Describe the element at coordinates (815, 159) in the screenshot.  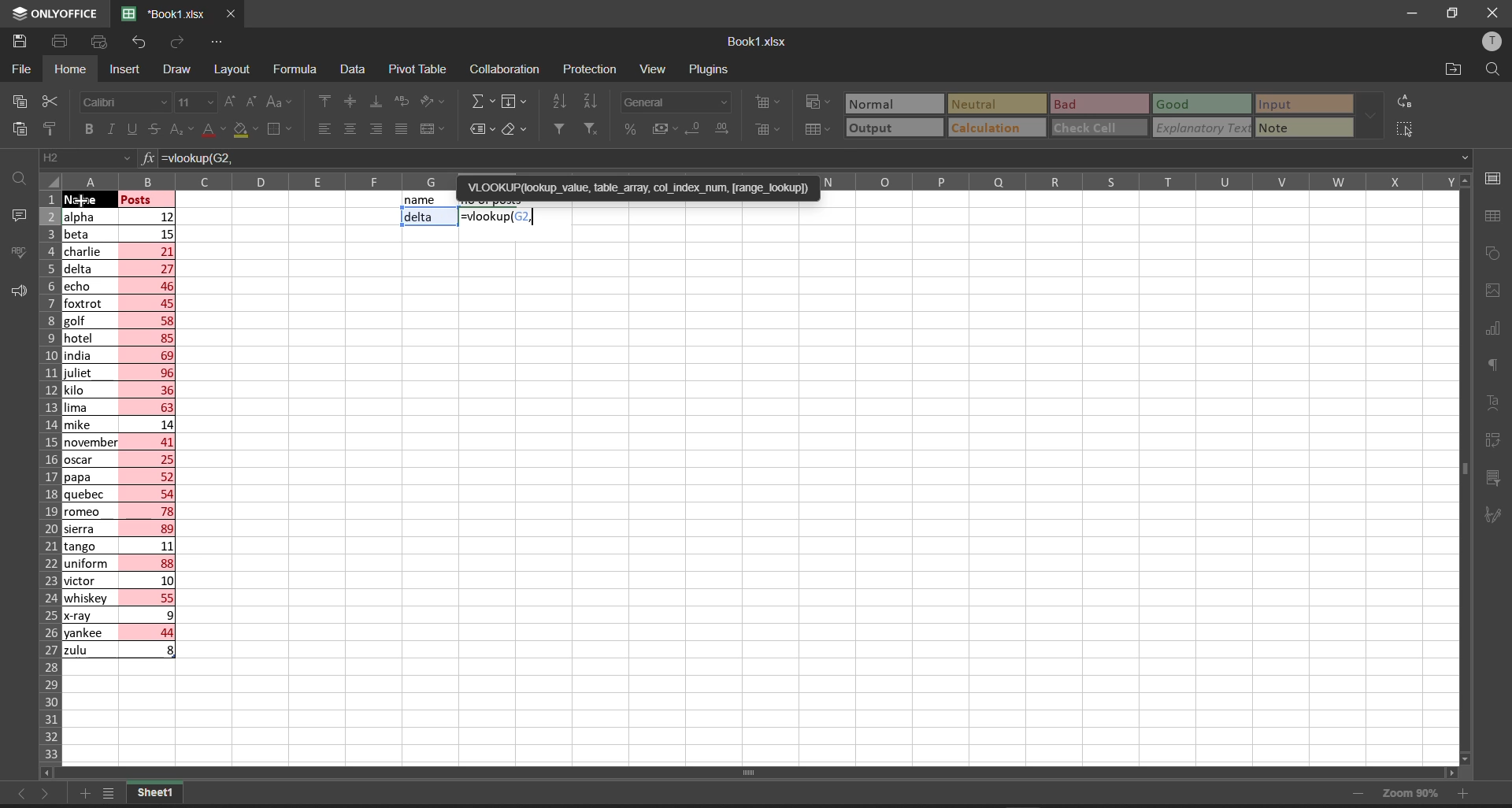
I see `=vlookup(G2,` at that location.